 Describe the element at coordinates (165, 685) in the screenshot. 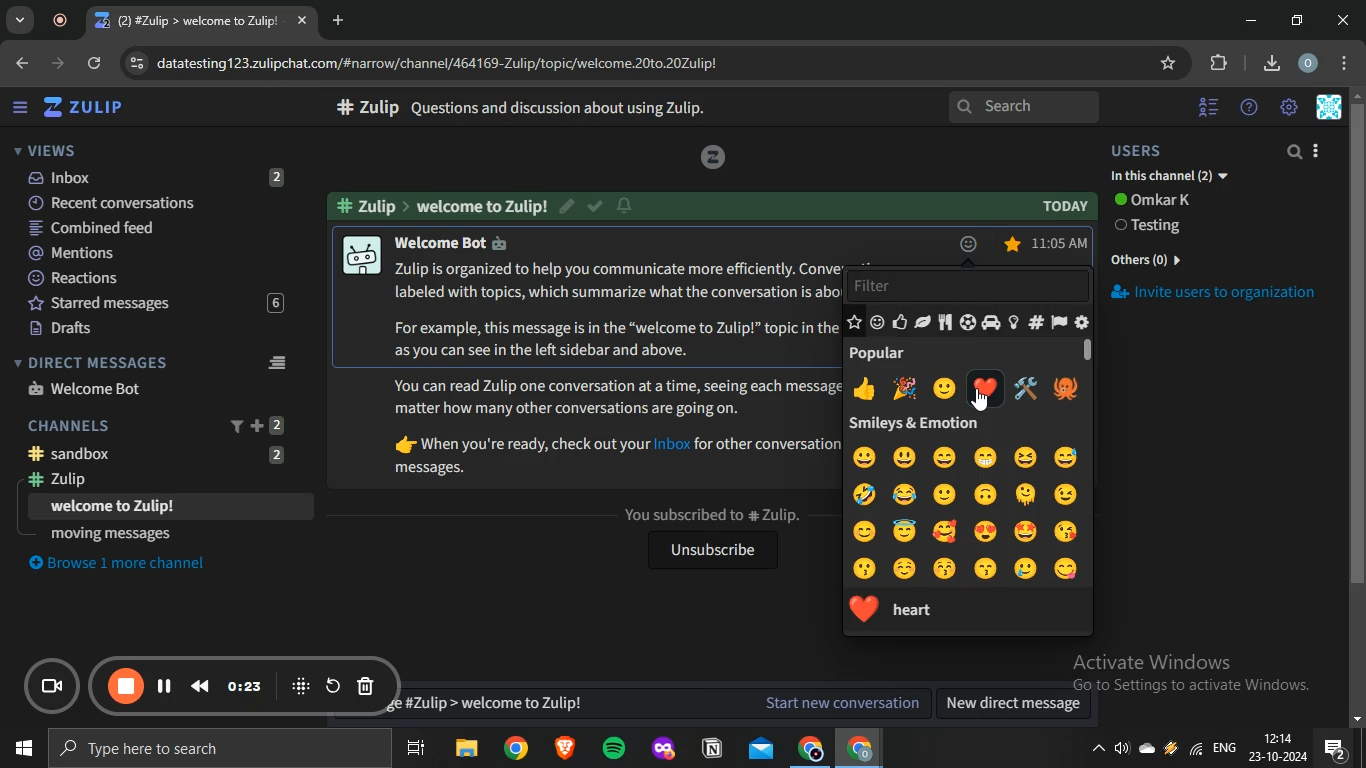

I see `play recording` at that location.